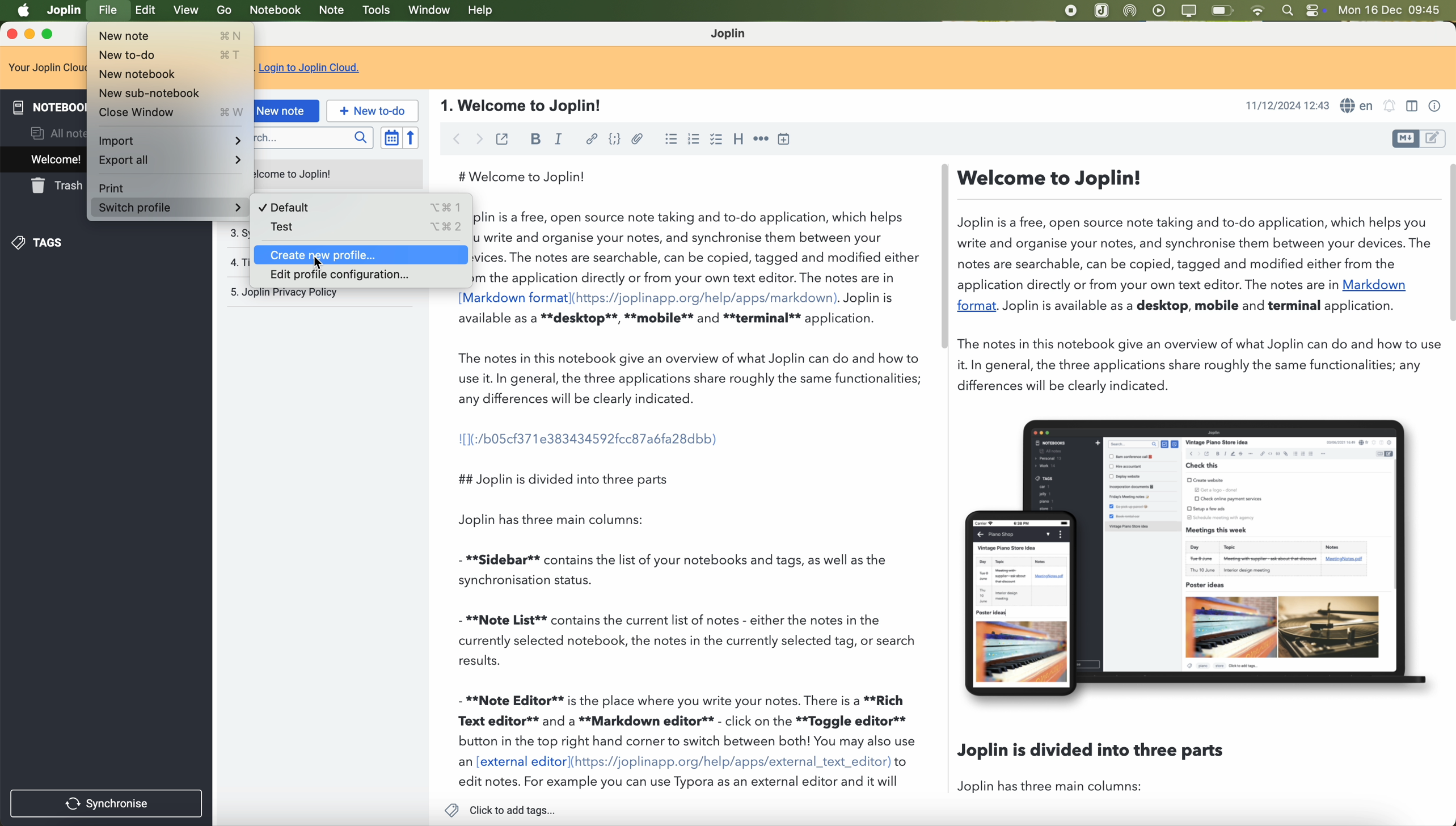  What do you see at coordinates (371, 111) in the screenshot?
I see `new to-do` at bounding box center [371, 111].